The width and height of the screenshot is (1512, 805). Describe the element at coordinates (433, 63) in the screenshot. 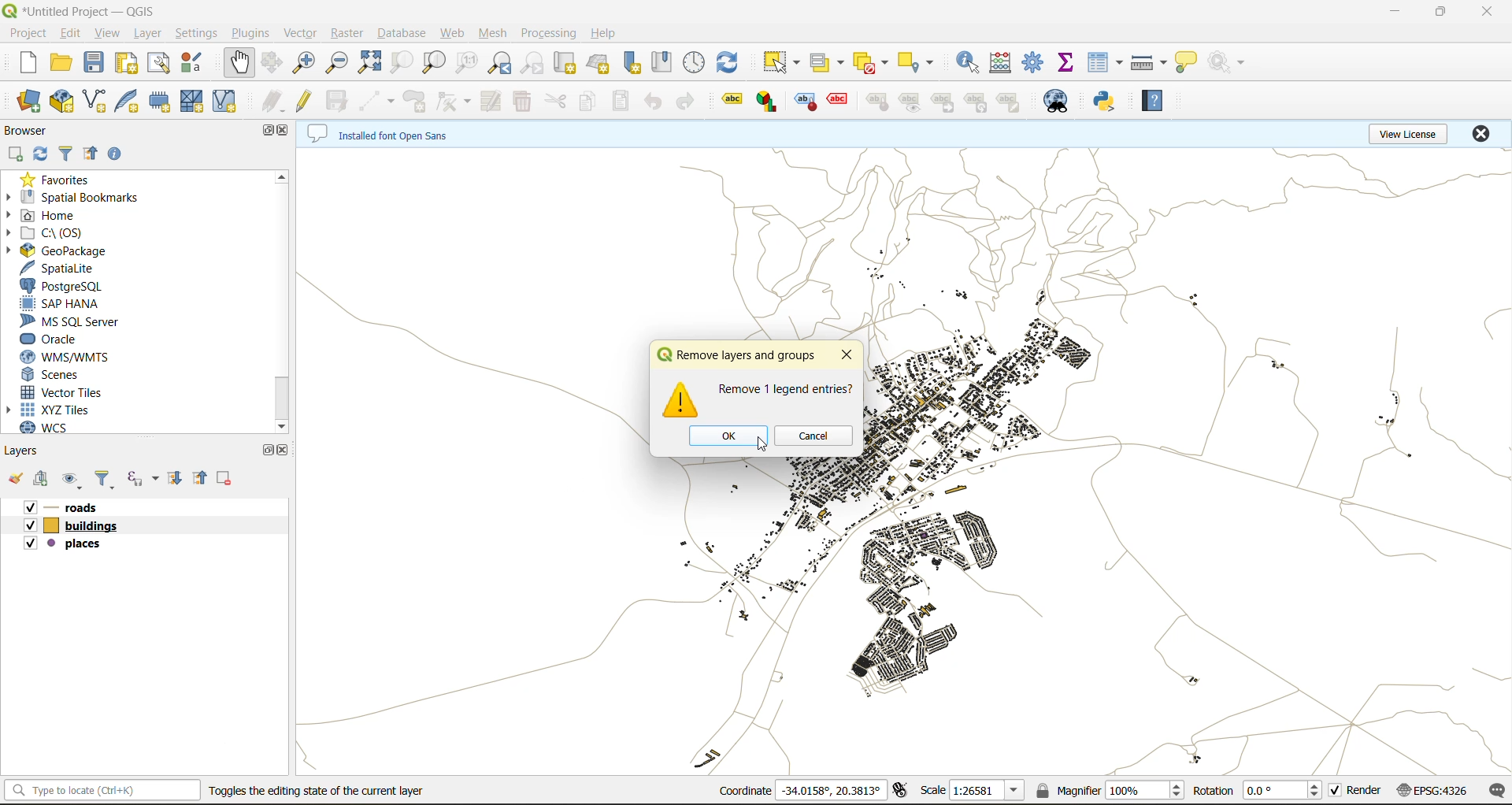

I see `zoom layer` at that location.